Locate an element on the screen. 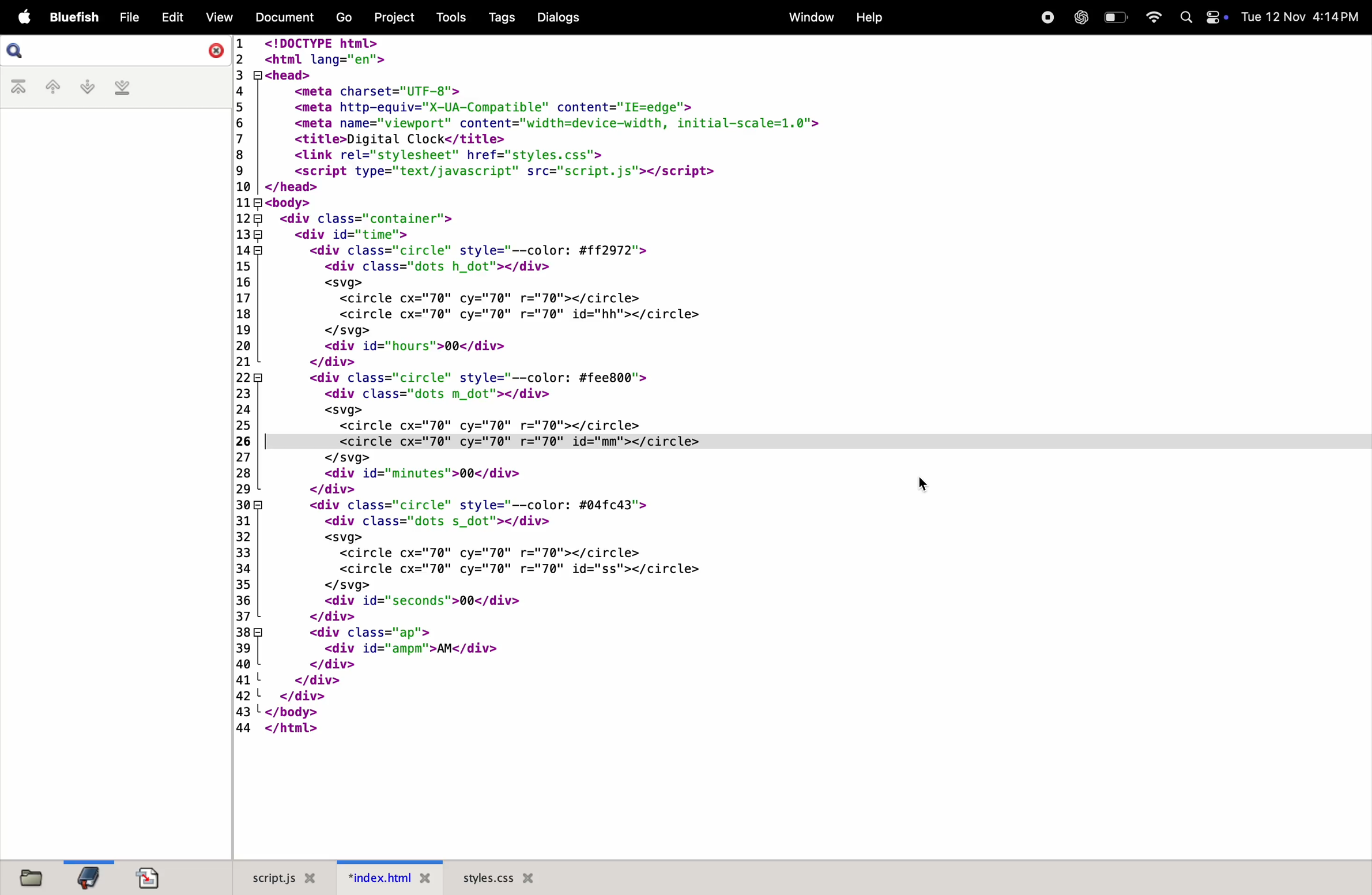 The height and width of the screenshot is (895, 1372). first book mark is located at coordinates (19, 88).